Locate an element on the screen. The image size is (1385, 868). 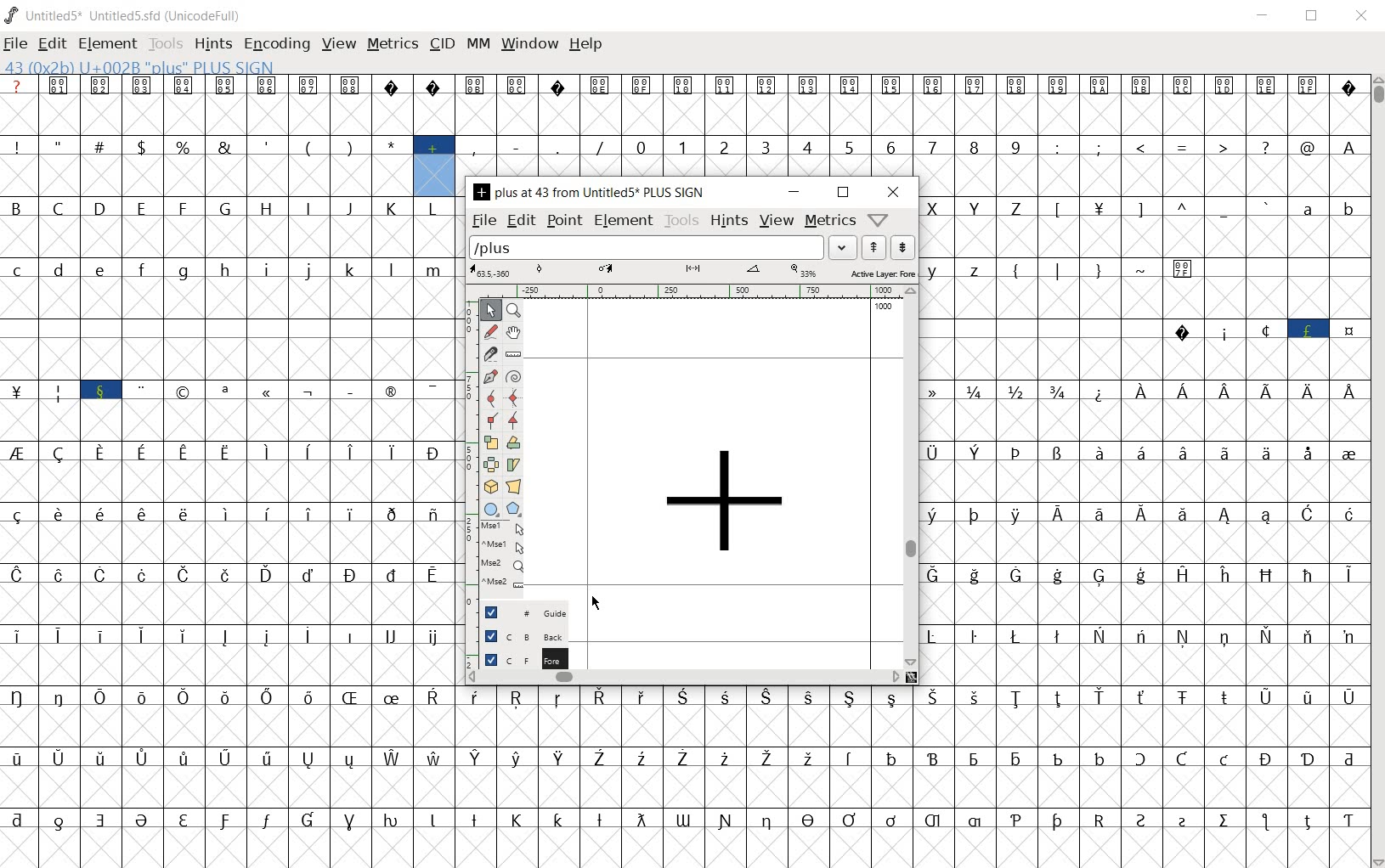
special characters is located at coordinates (205, 167).